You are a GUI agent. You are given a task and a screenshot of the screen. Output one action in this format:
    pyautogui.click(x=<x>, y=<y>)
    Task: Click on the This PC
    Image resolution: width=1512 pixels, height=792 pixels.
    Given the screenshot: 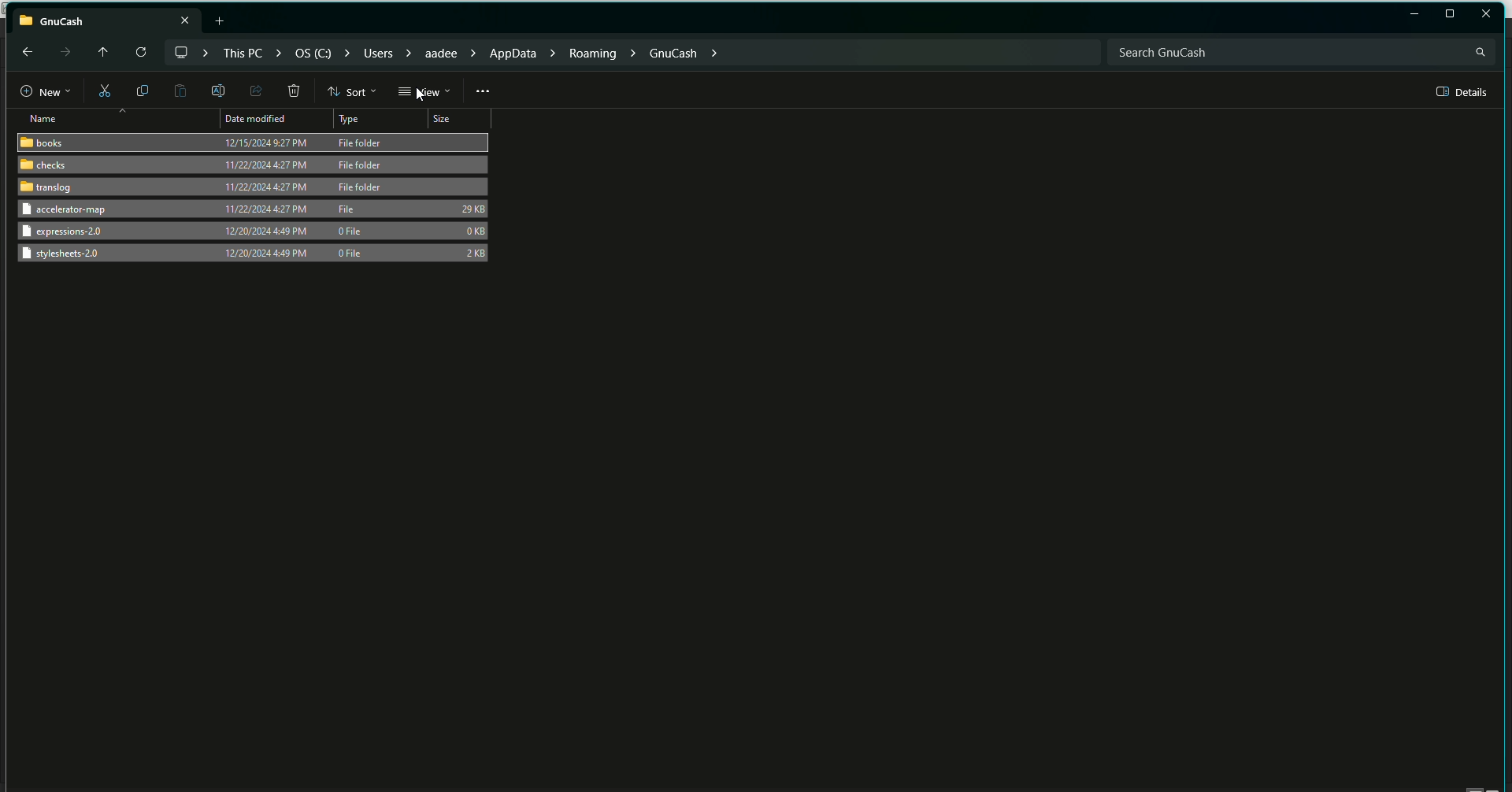 What is the action you would take?
    pyautogui.click(x=106, y=18)
    